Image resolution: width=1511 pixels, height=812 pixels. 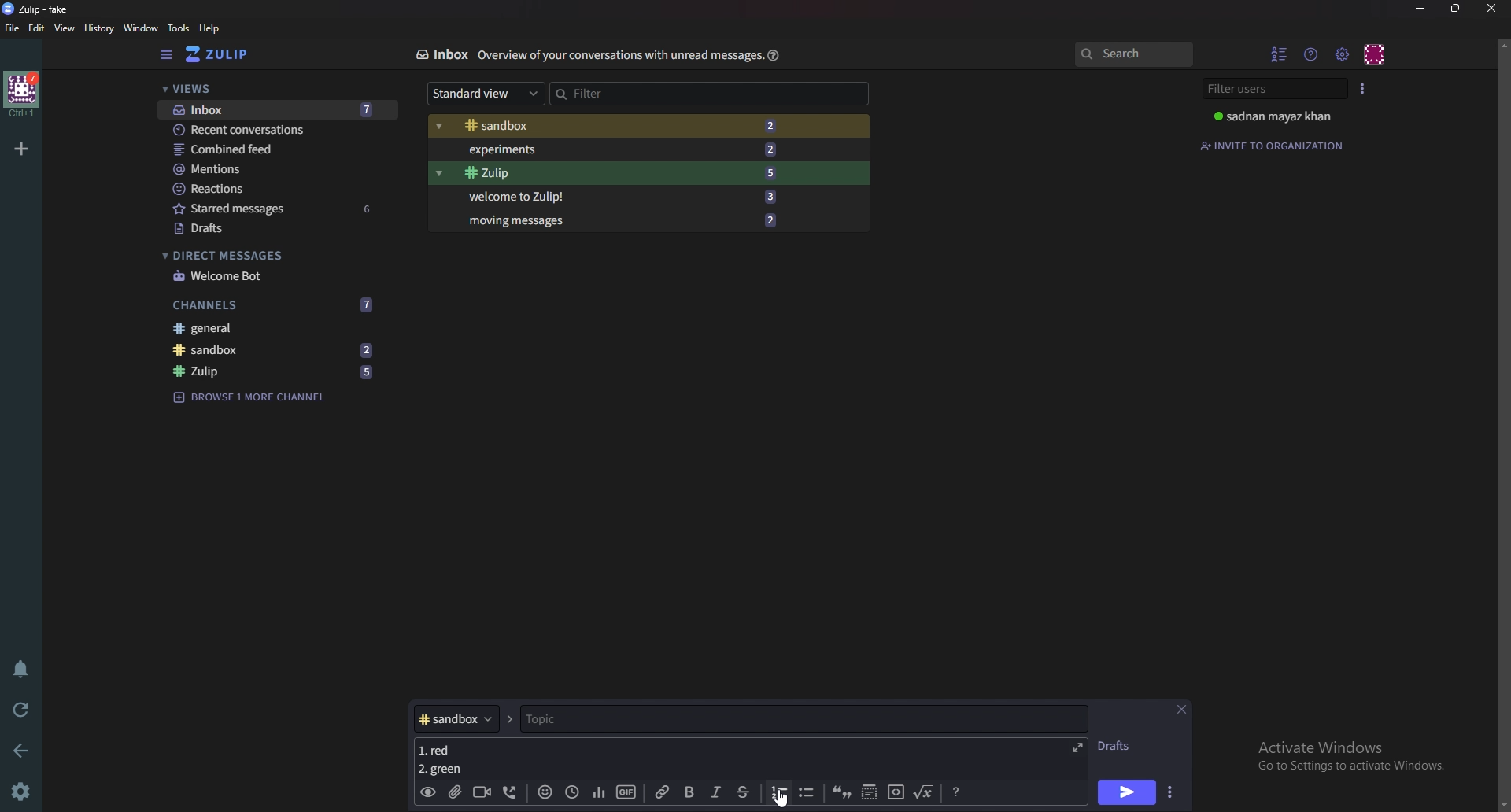 I want to click on Video call, so click(x=480, y=792).